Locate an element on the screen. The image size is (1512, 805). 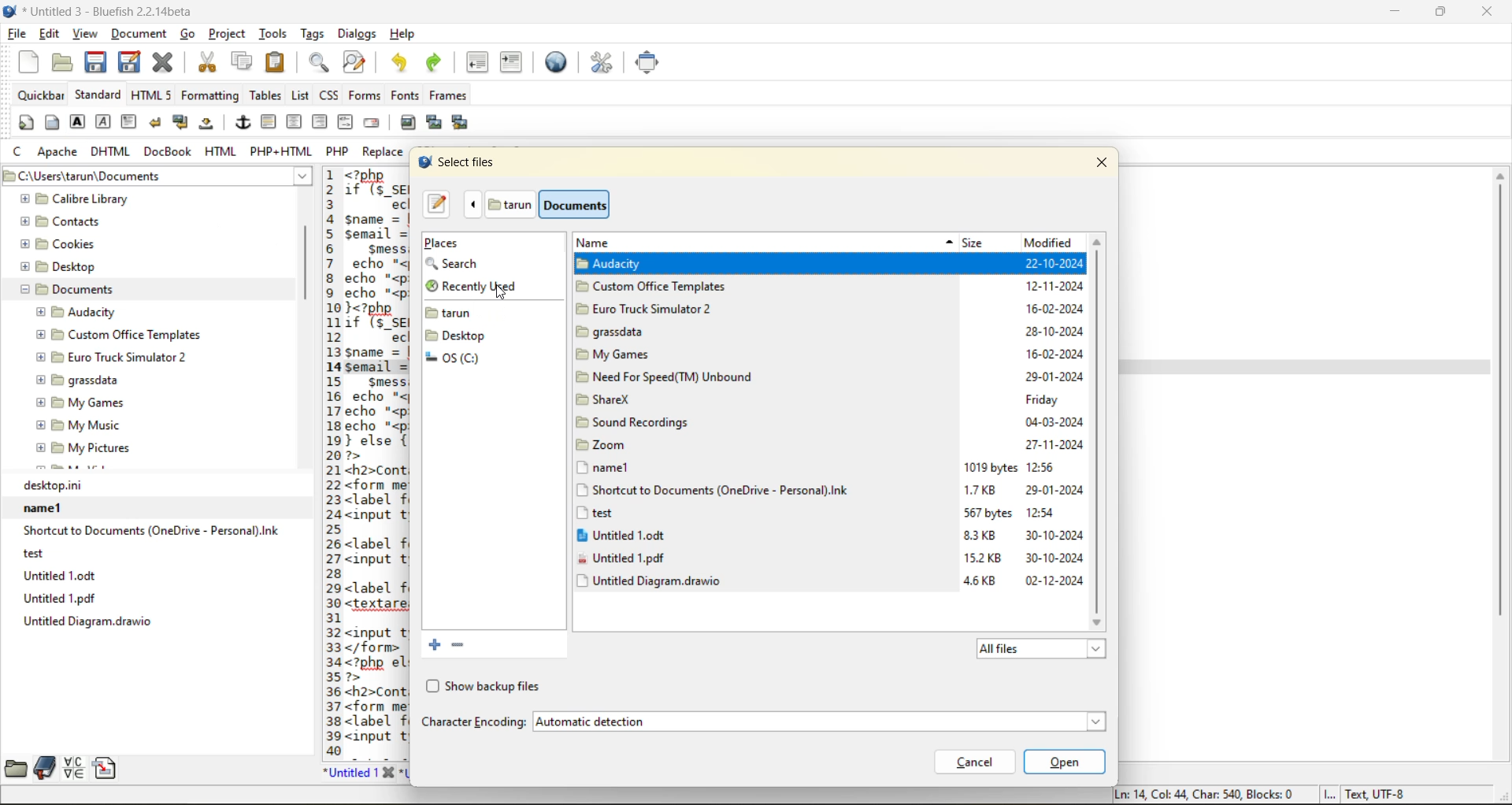
multi thumbnail is located at coordinates (458, 123).